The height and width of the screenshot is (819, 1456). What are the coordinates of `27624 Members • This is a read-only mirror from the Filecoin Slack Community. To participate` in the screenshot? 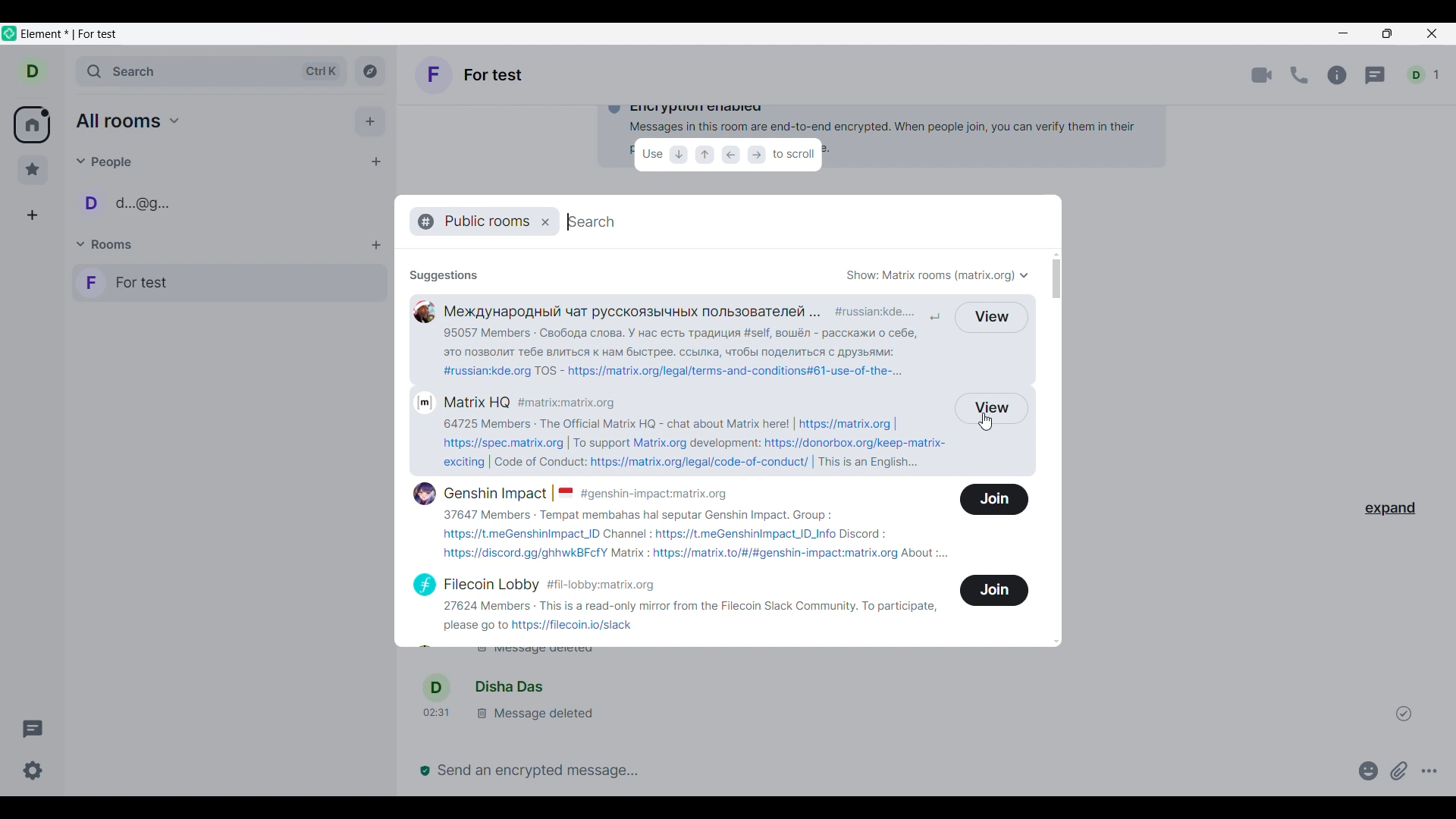 It's located at (691, 607).